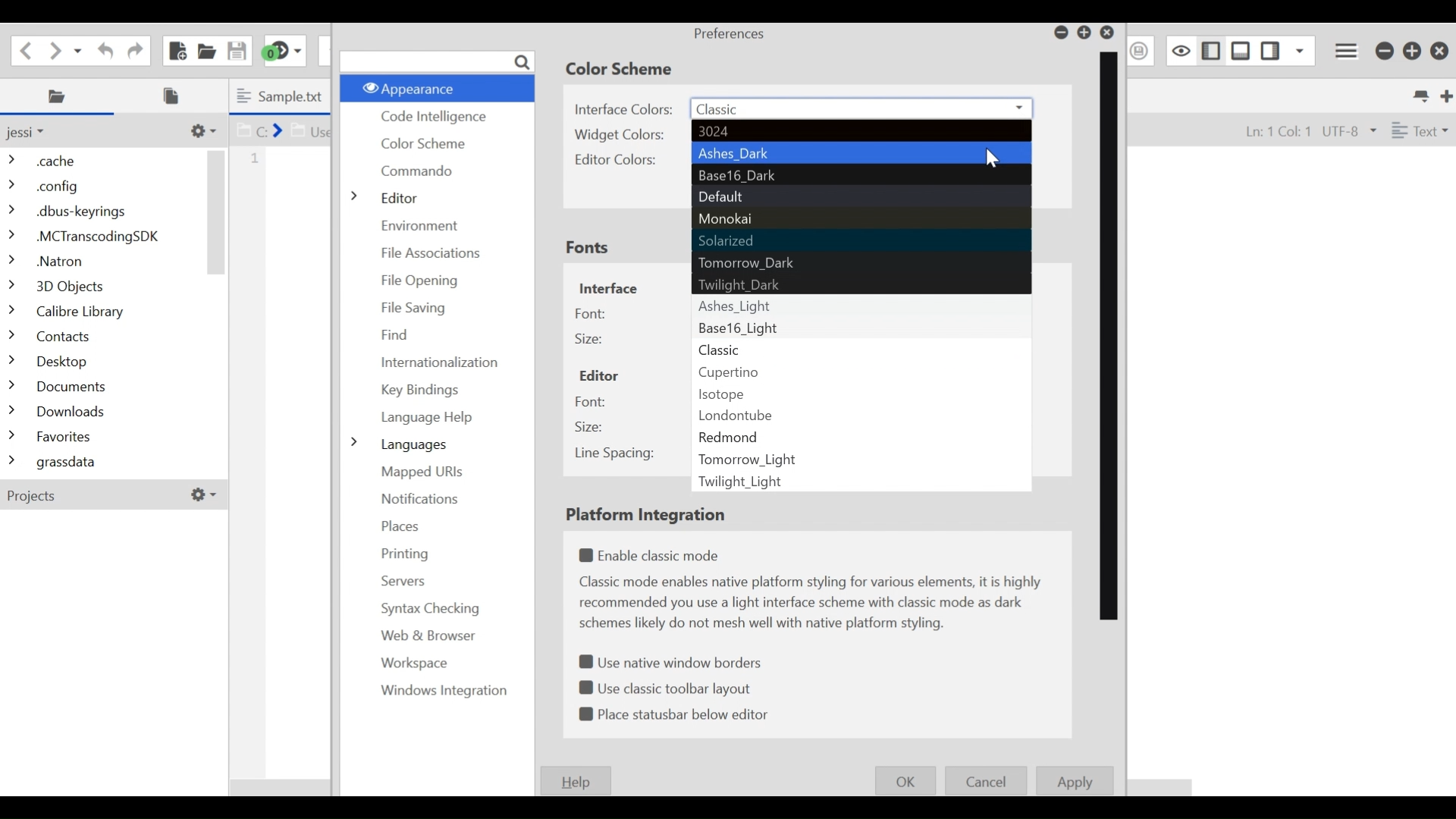 This screenshot has height=819, width=1456. I want to click on Color Scheme, so click(624, 69).